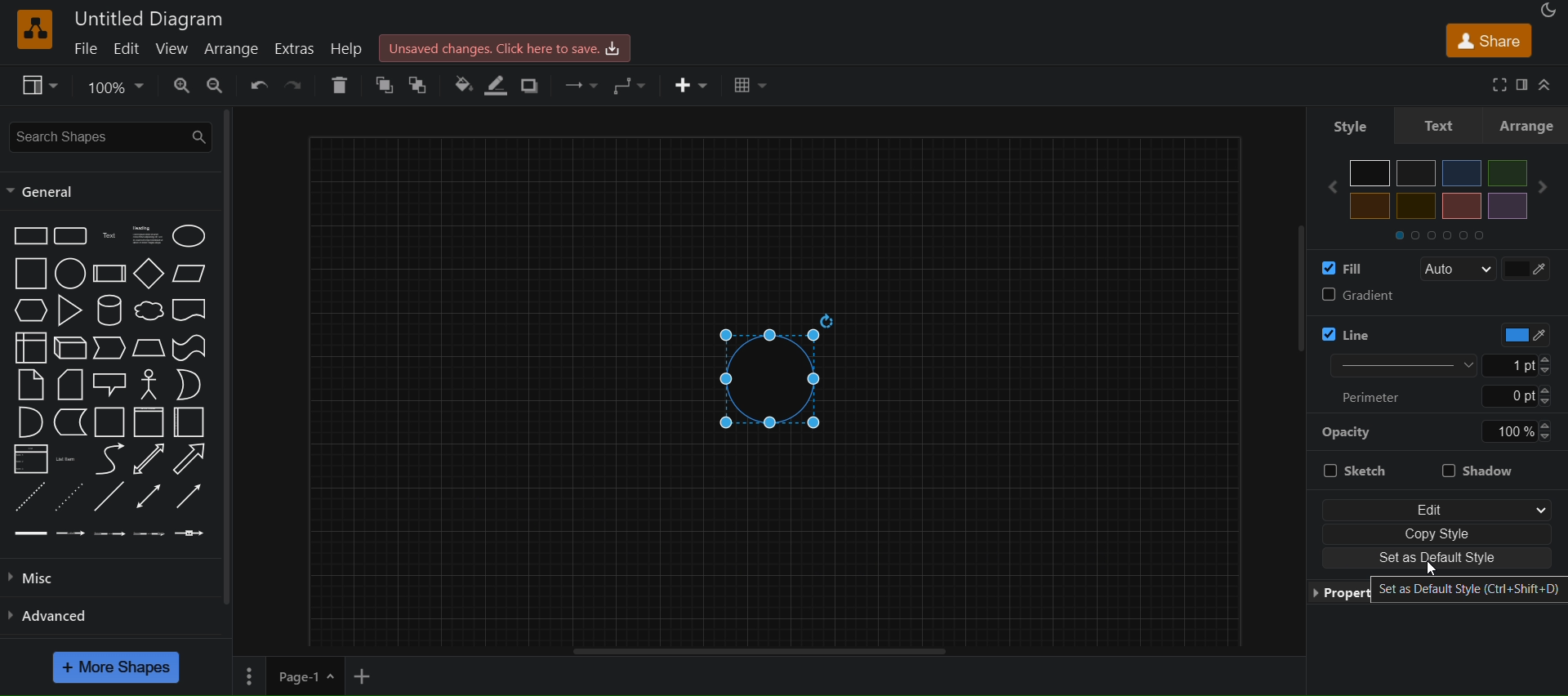  Describe the element at coordinates (51, 577) in the screenshot. I see `misc` at that location.